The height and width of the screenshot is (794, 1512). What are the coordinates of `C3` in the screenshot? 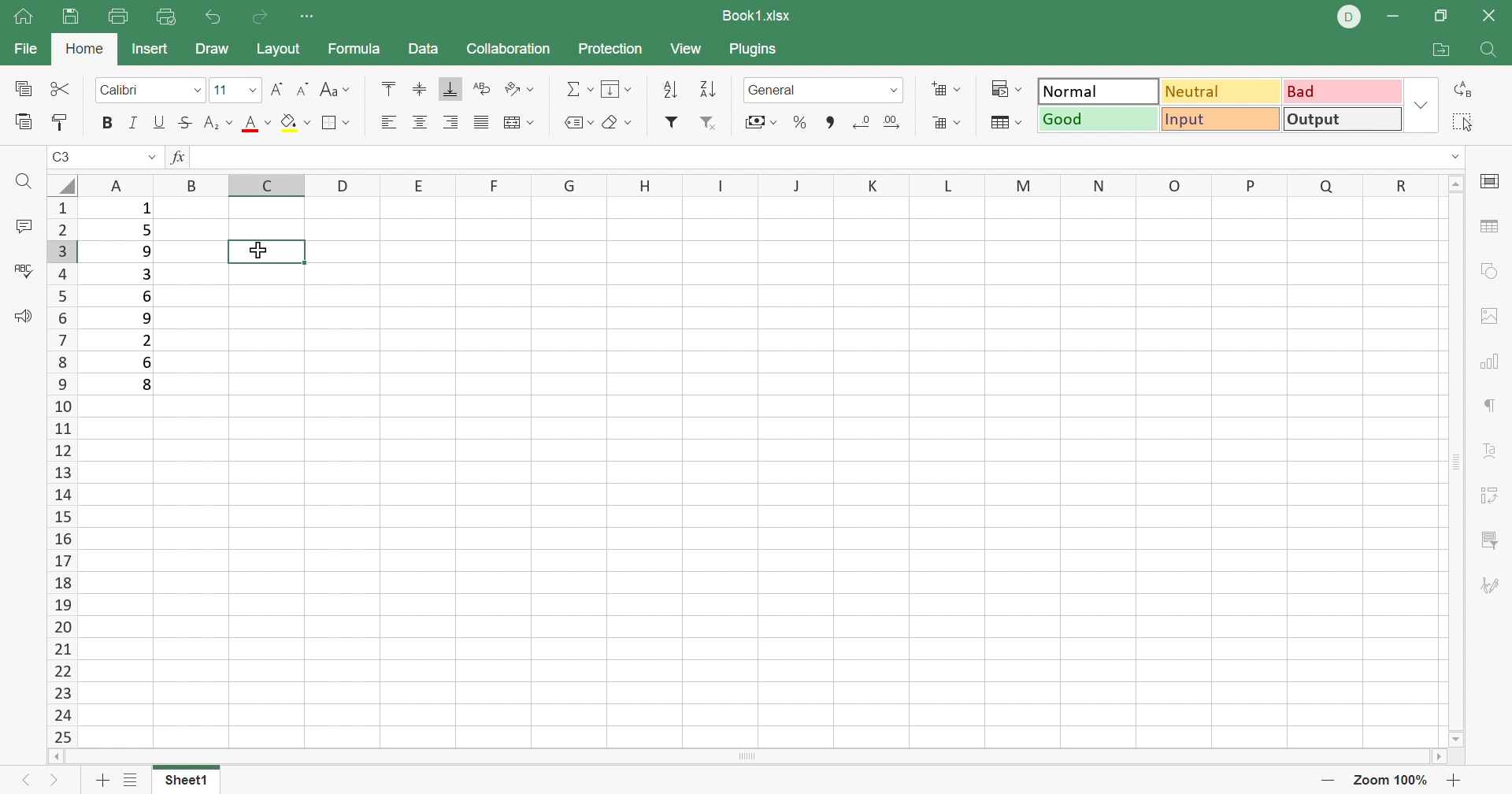 It's located at (67, 156).